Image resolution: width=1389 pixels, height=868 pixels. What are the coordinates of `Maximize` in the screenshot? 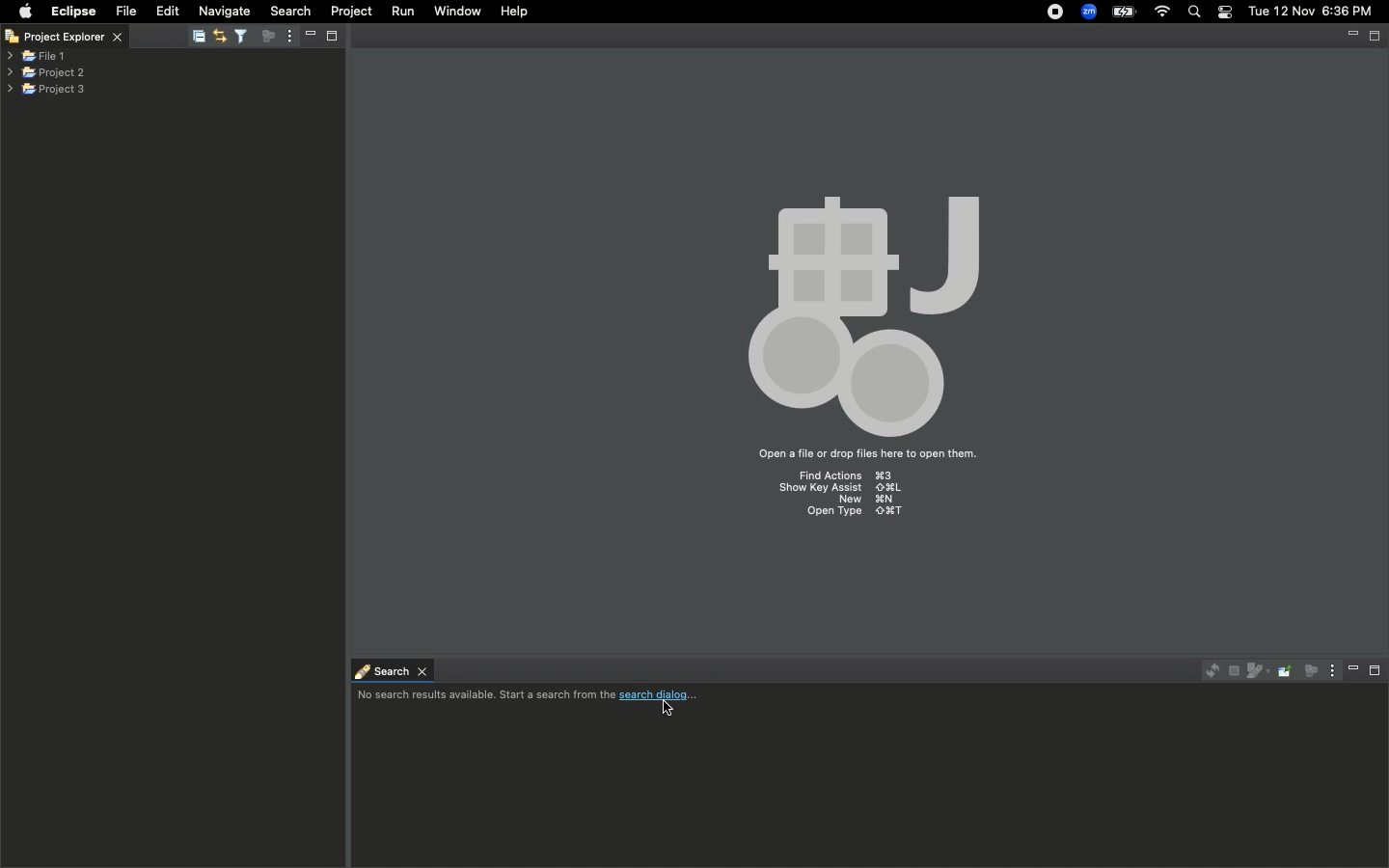 It's located at (1376, 670).